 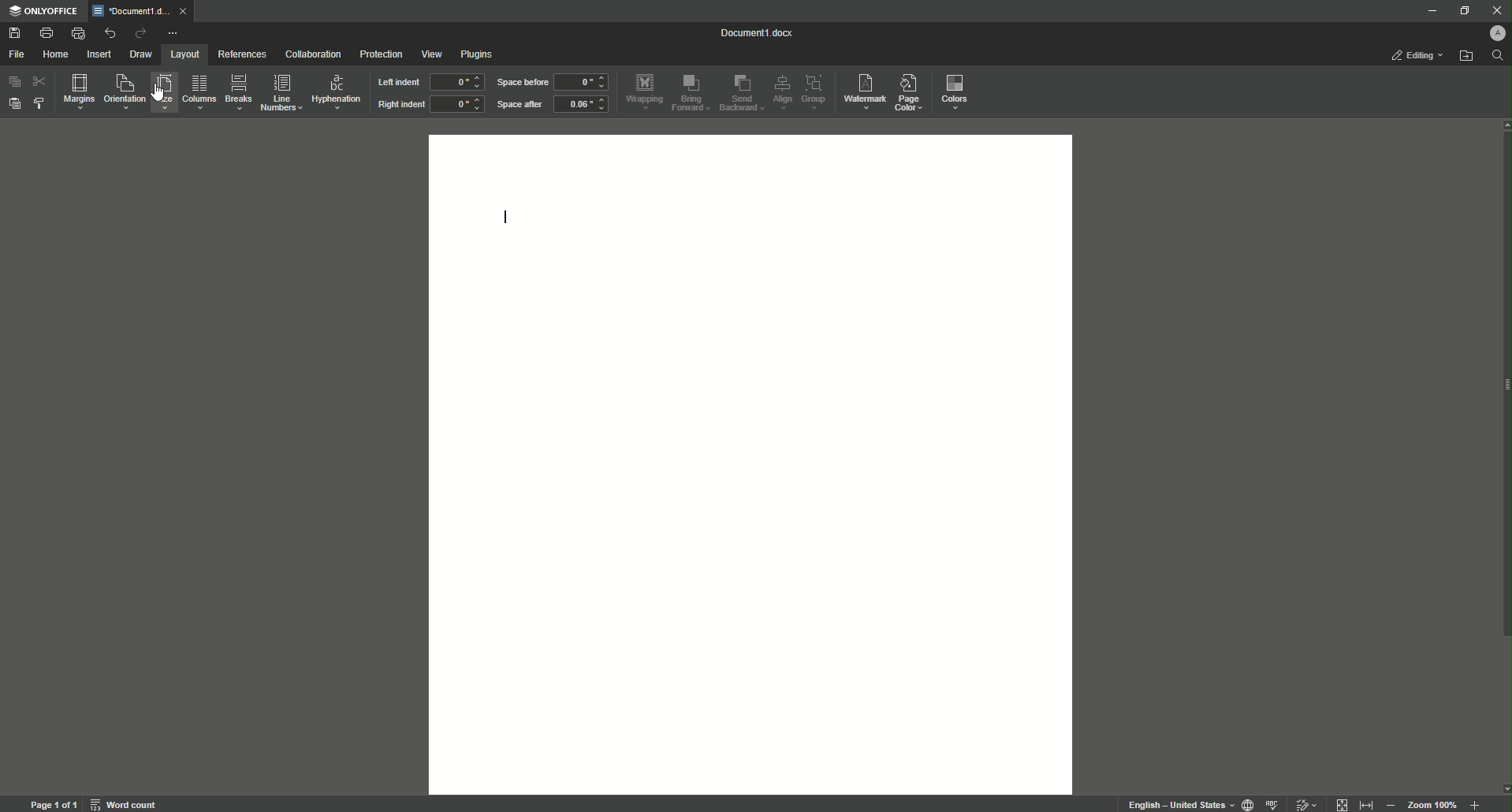 What do you see at coordinates (957, 92) in the screenshot?
I see `Colors` at bounding box center [957, 92].